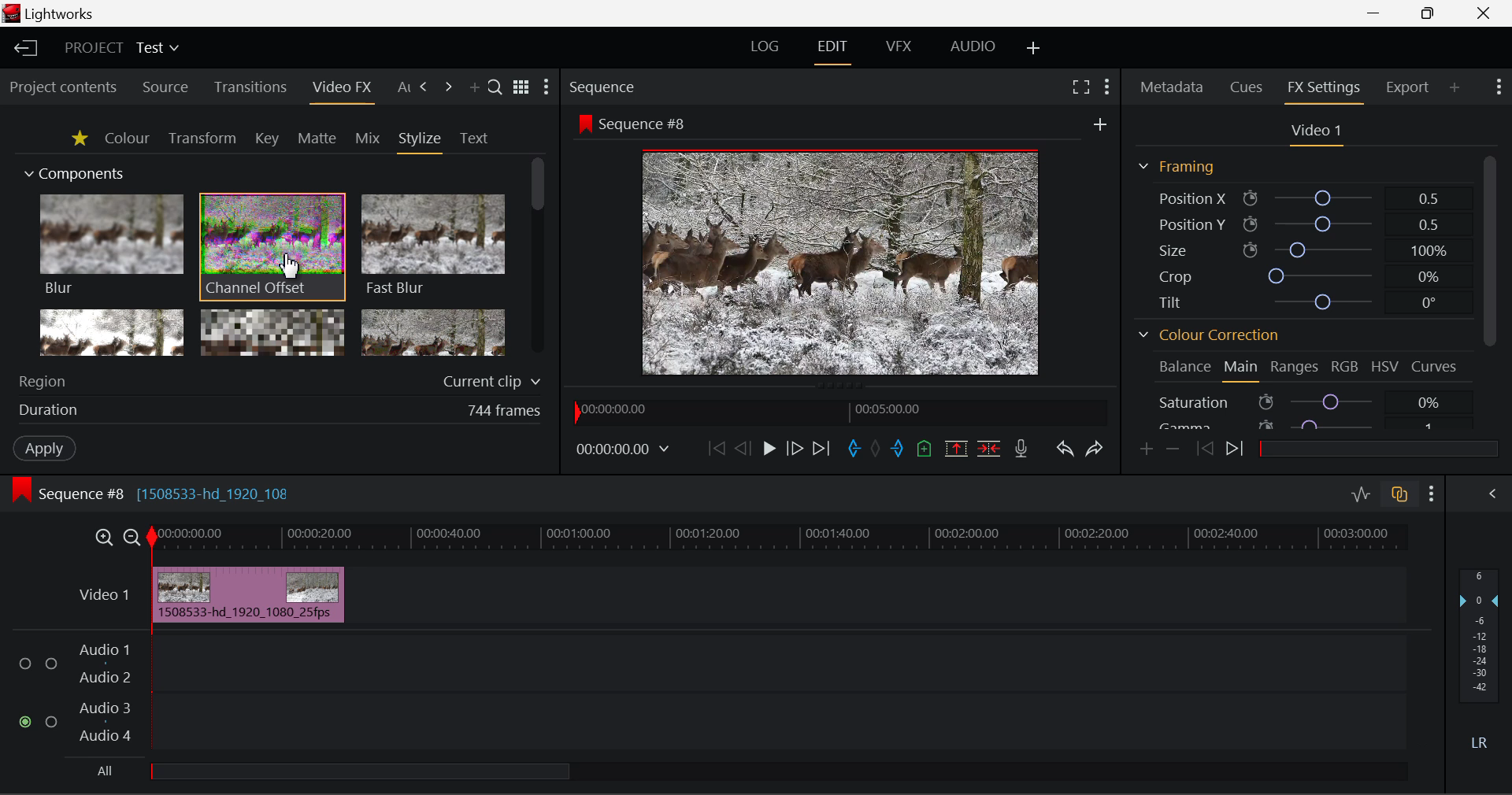 The height and width of the screenshot is (795, 1512). What do you see at coordinates (1295, 367) in the screenshot?
I see `Ranges` at bounding box center [1295, 367].